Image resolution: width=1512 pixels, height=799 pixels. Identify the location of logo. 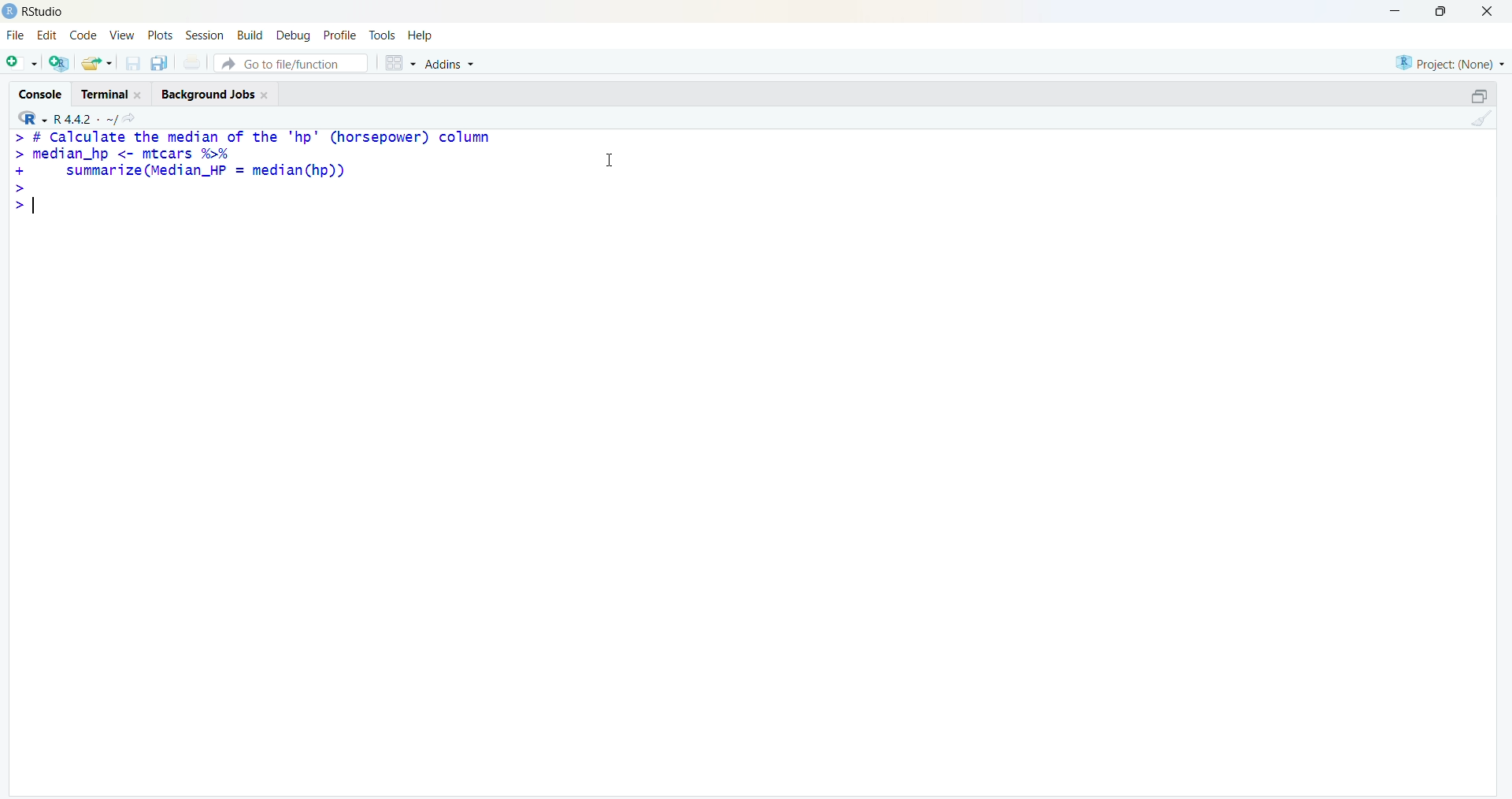
(9, 12).